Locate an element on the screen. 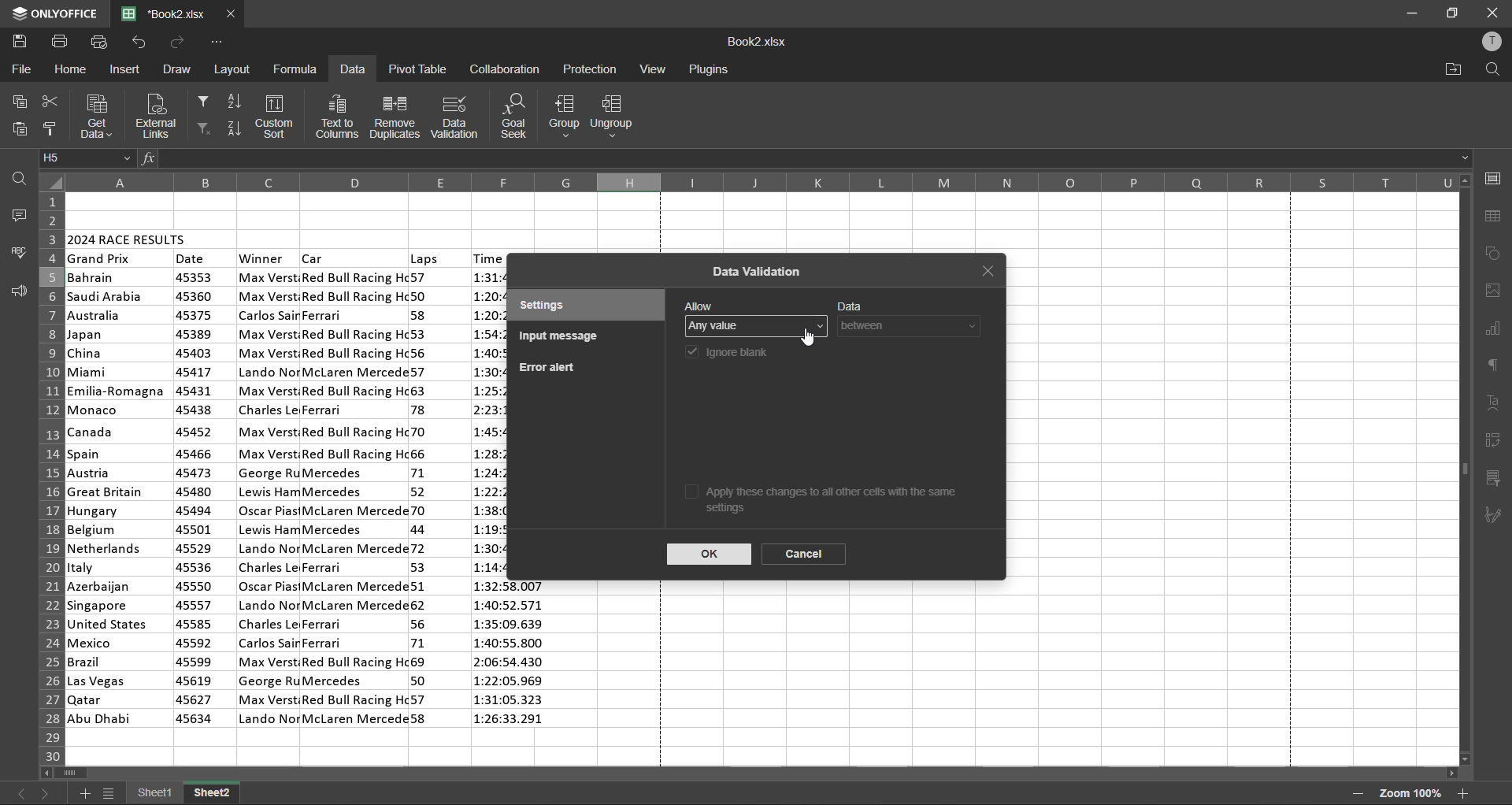 This screenshot has width=1512, height=805. column names is located at coordinates (762, 182).